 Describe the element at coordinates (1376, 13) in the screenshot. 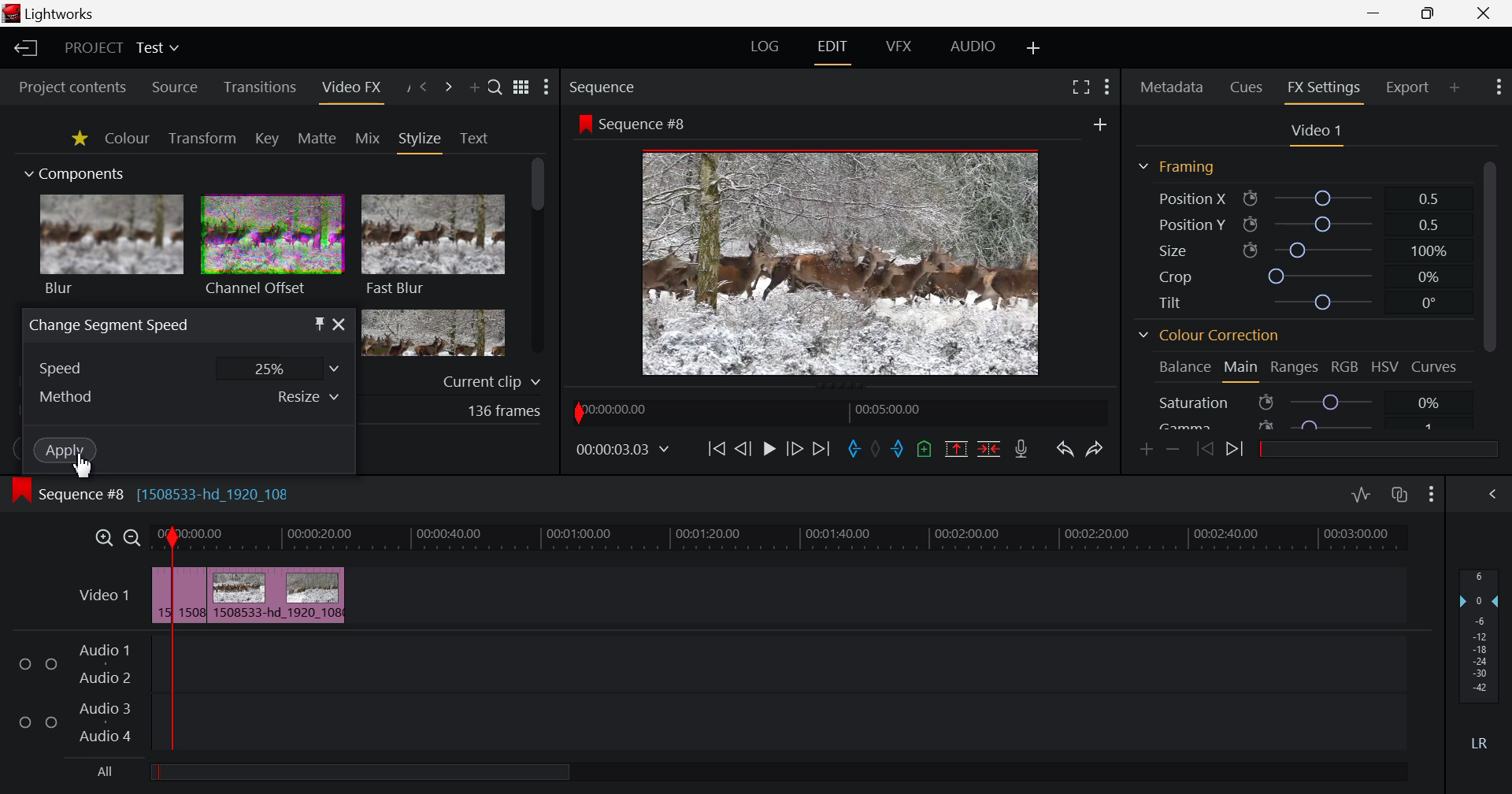

I see `Restore Down` at that location.